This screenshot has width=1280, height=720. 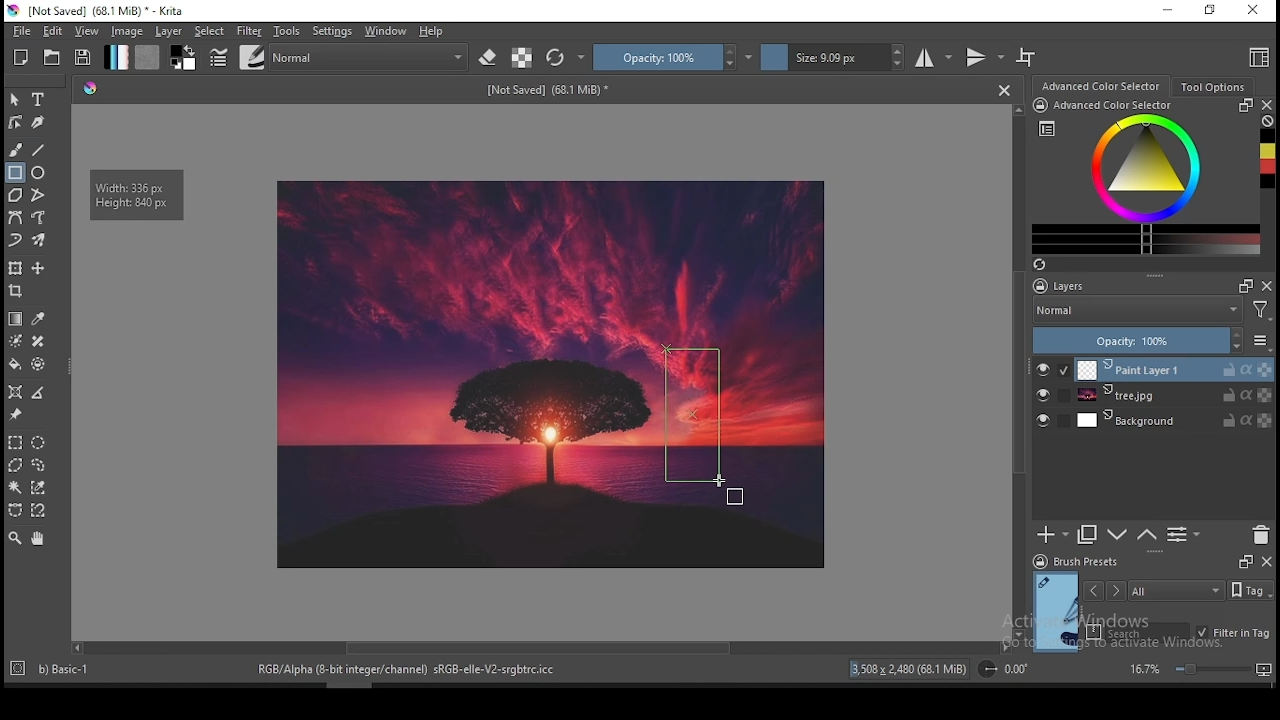 I want to click on colorize mask tool, so click(x=16, y=340).